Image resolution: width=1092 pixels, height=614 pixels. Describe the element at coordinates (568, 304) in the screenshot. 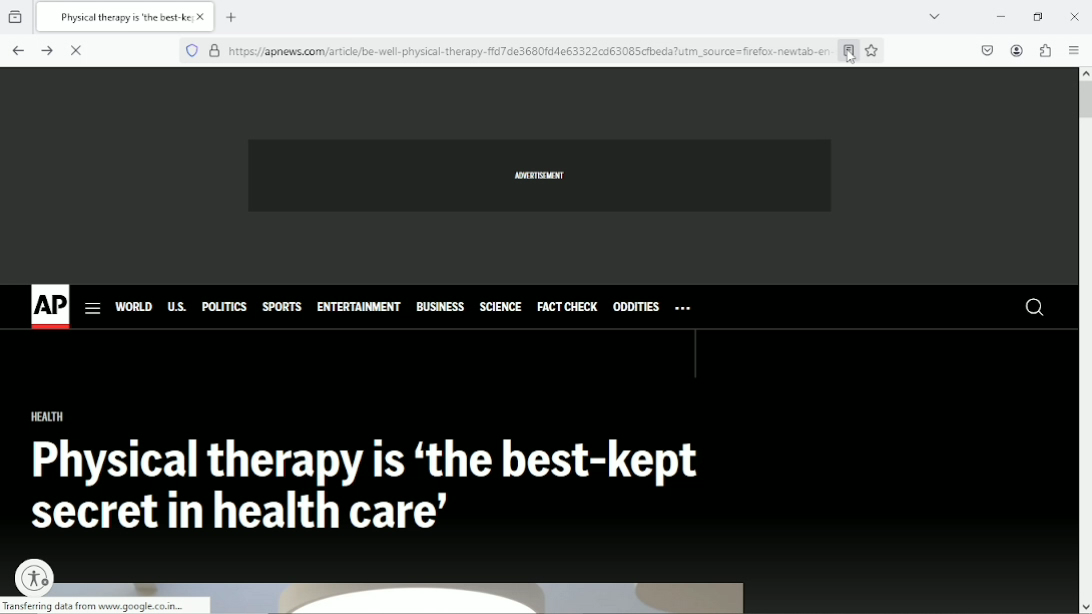

I see `FACT CHECK` at that location.